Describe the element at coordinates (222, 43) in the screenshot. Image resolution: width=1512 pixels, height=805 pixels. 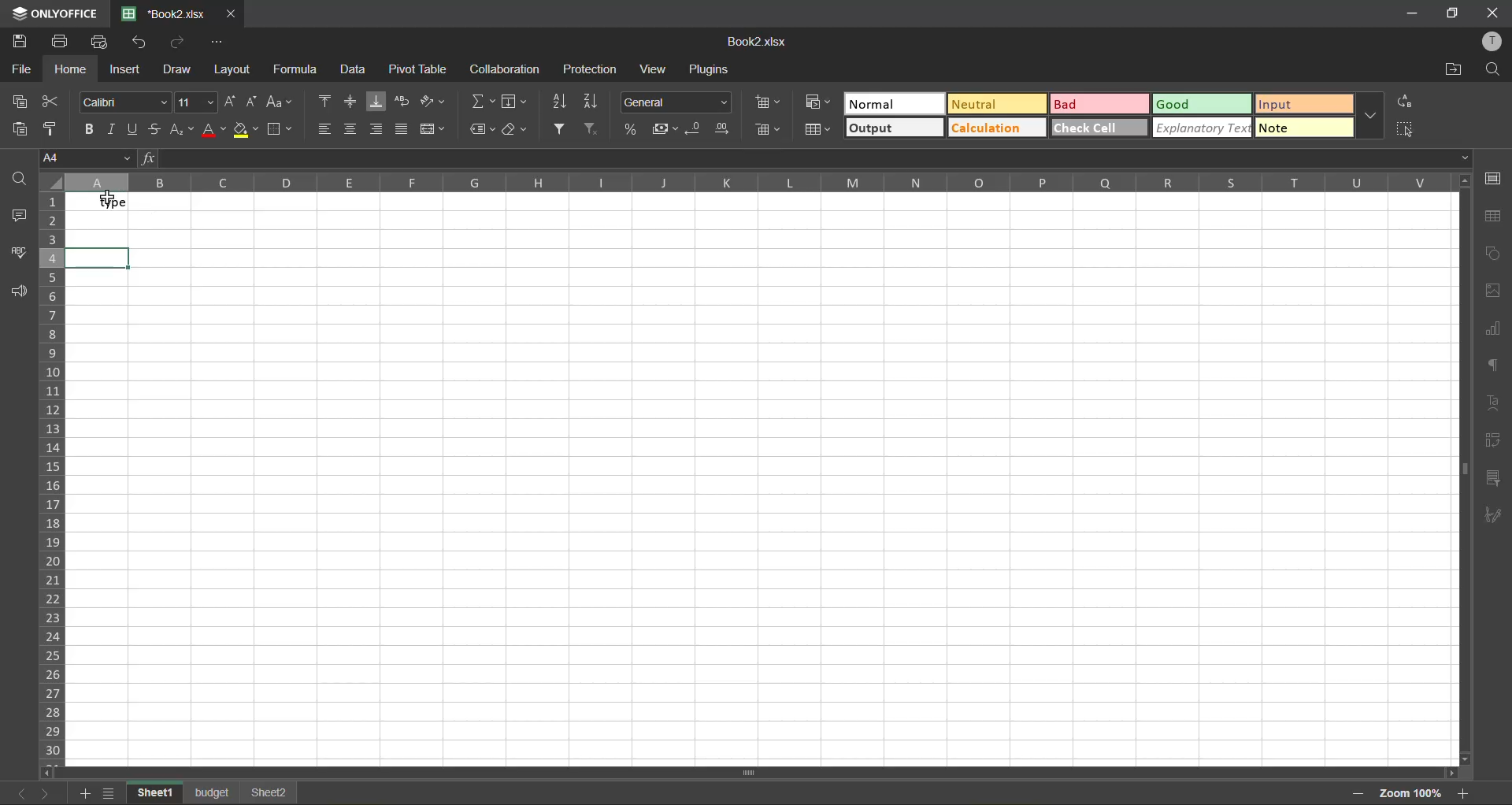
I see `customize quick access toolbar` at that location.